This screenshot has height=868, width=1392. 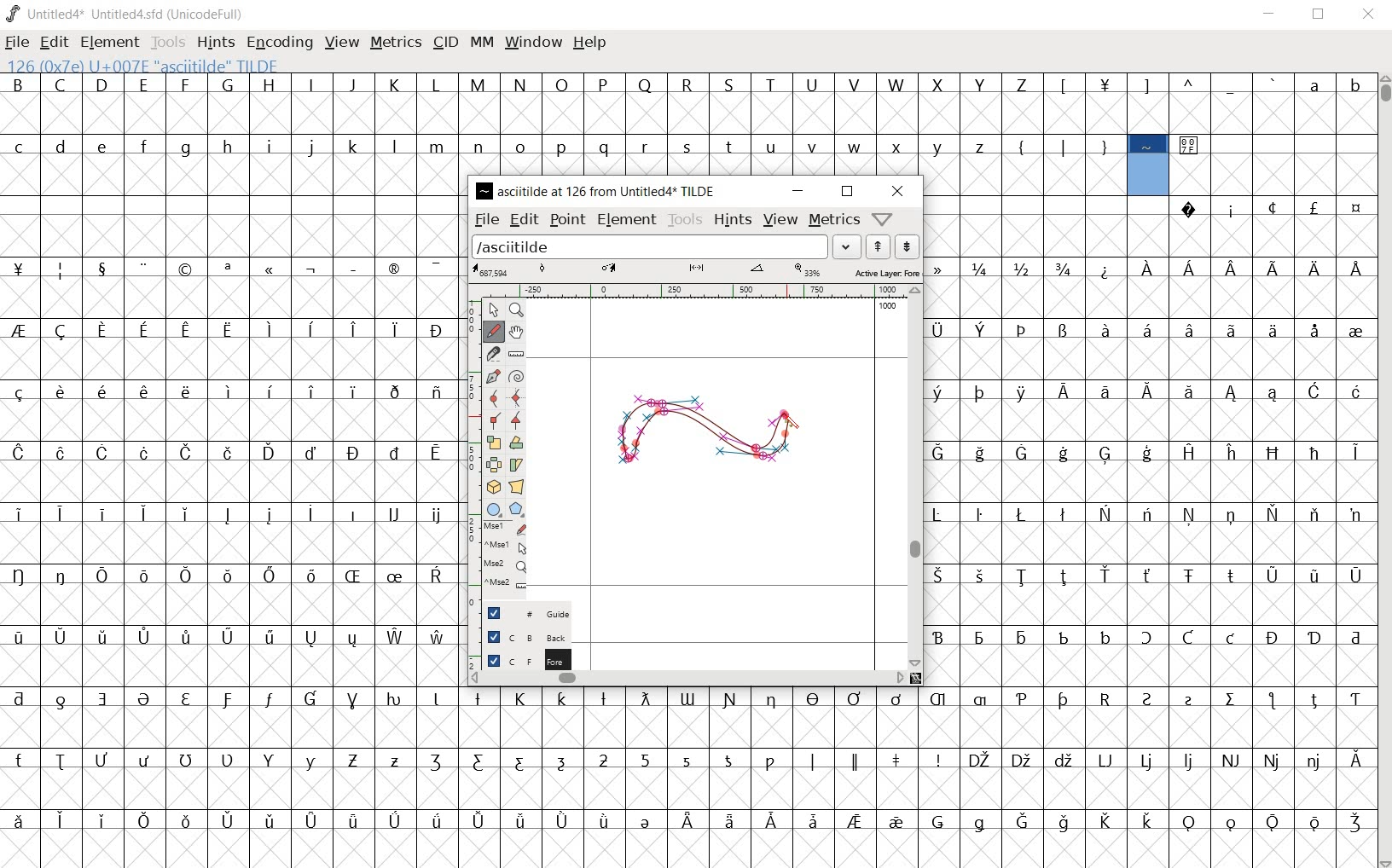 I want to click on ruler, so click(x=710, y=291).